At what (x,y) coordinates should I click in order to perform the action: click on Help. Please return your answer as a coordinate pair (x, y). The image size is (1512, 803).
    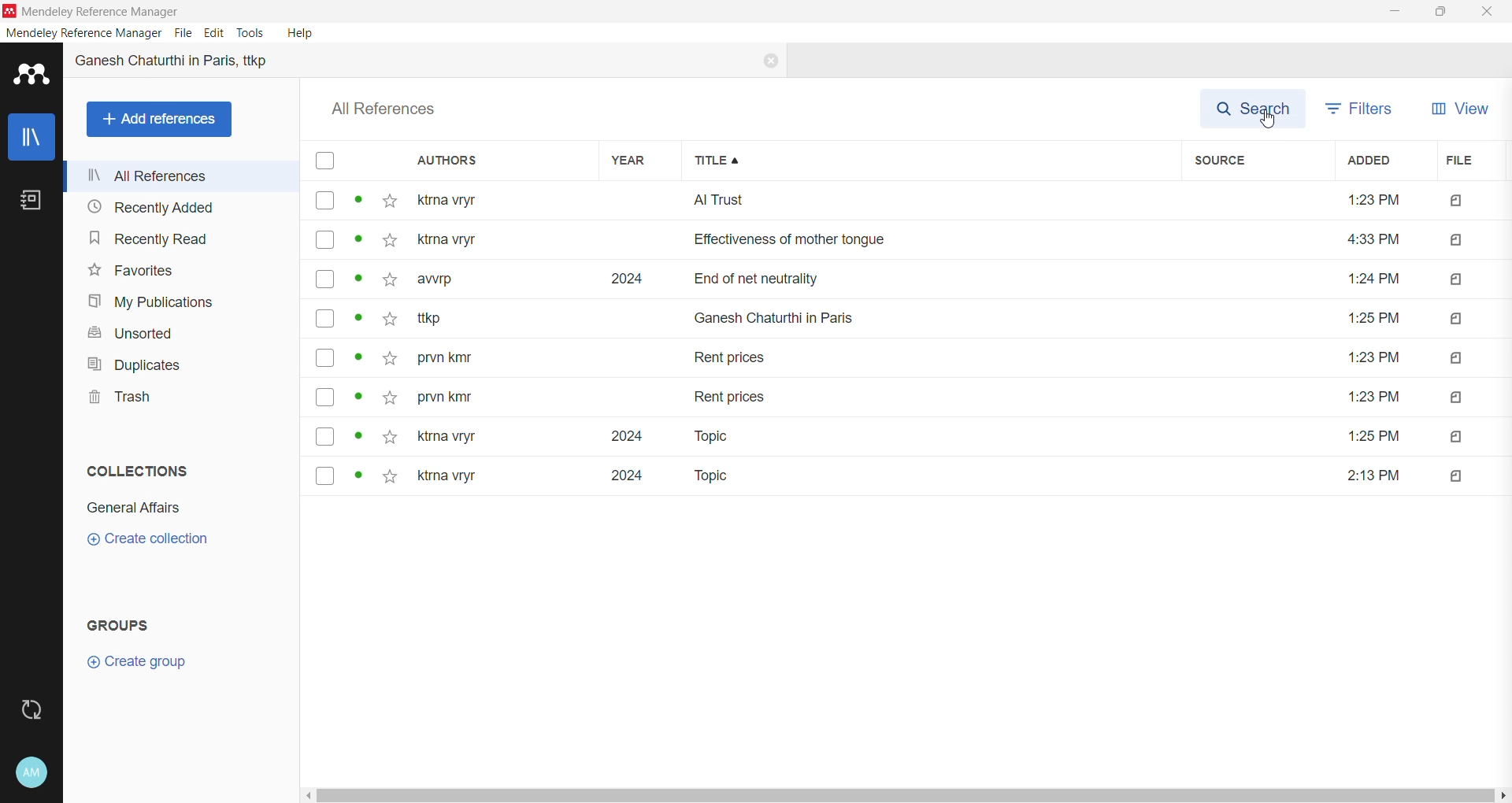
    Looking at the image, I should click on (299, 33).